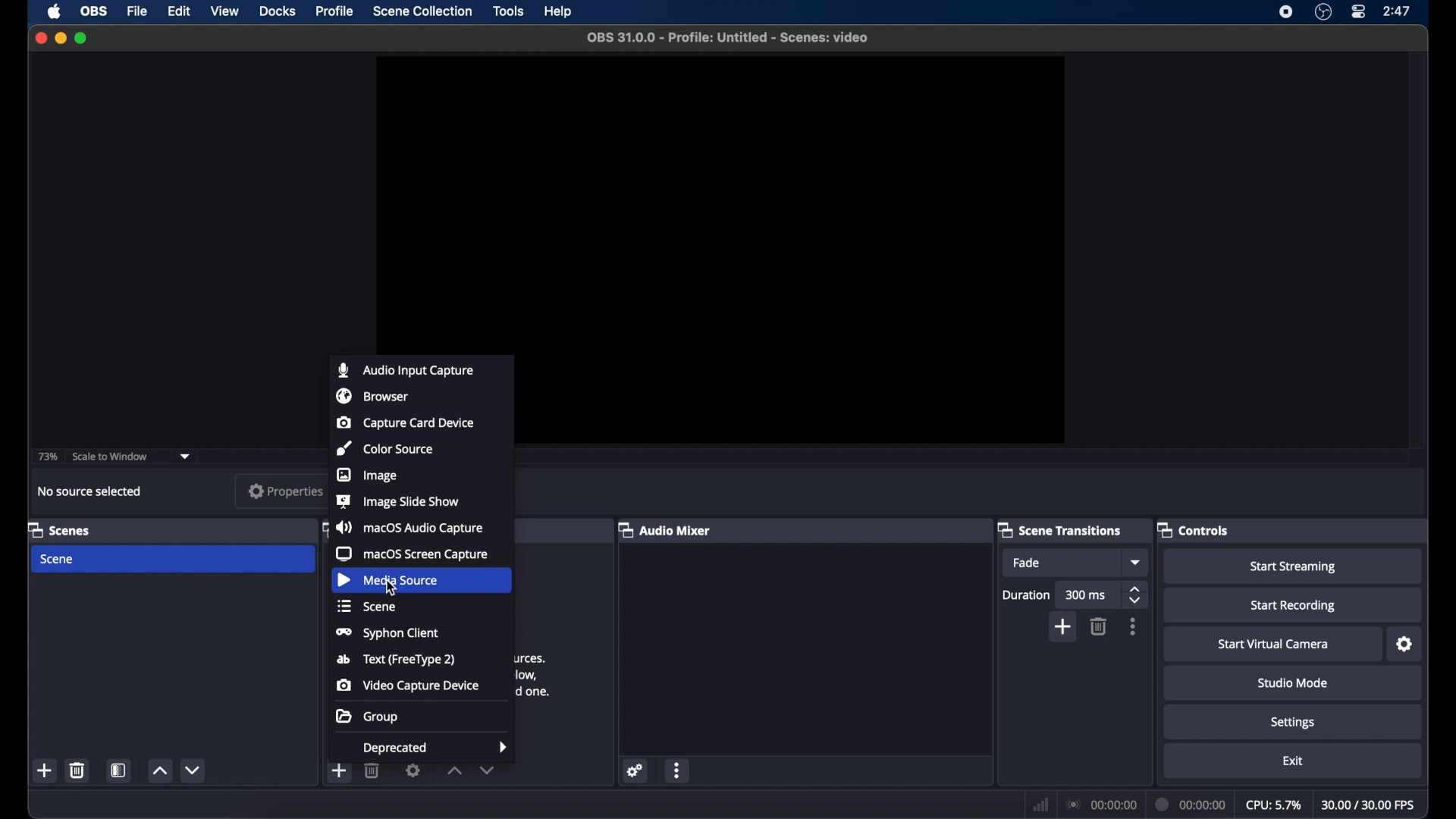 Image resolution: width=1456 pixels, height=819 pixels. What do you see at coordinates (40, 37) in the screenshot?
I see `close` at bounding box center [40, 37].